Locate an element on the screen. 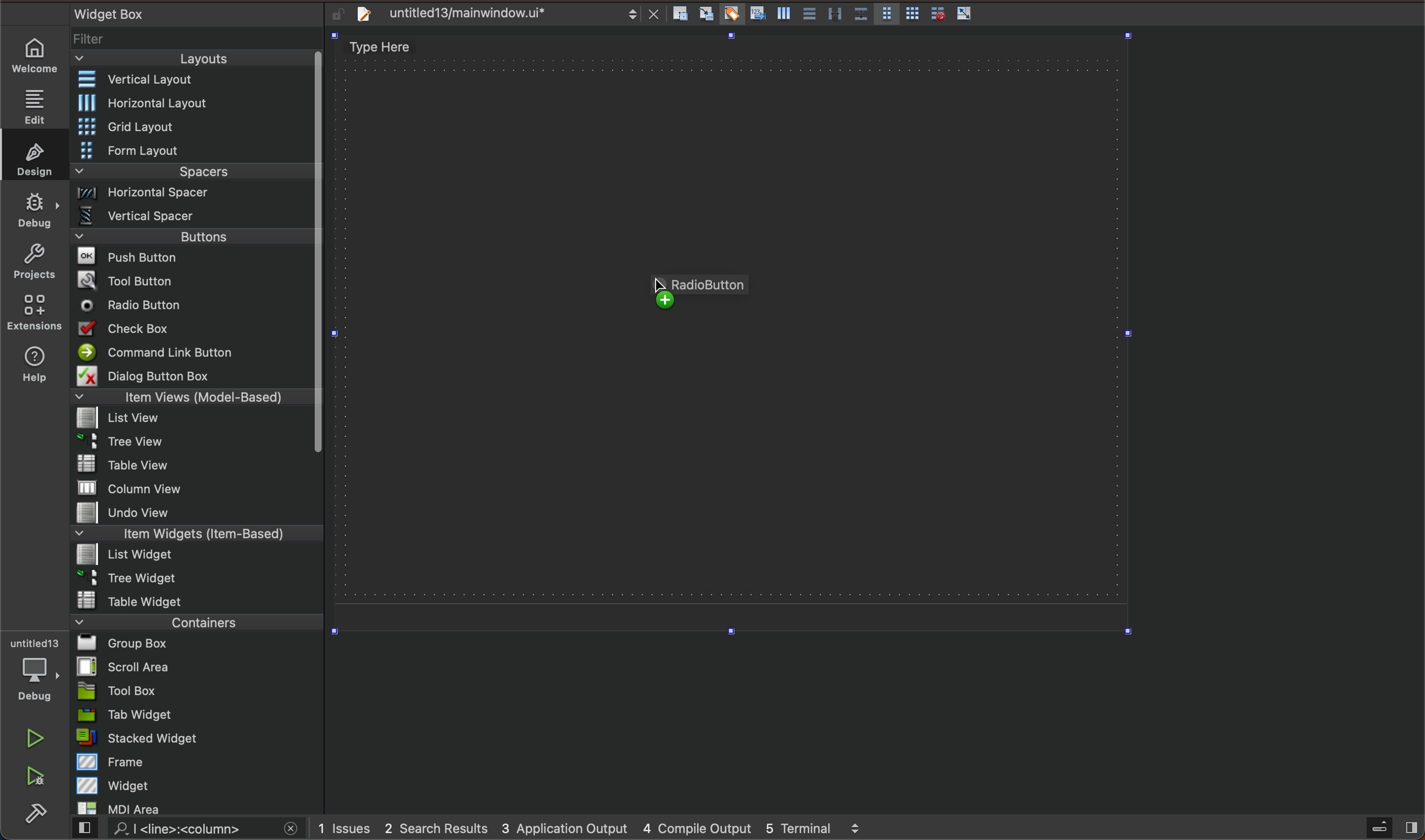 This screenshot has width=1425, height=840.  is located at coordinates (860, 15).